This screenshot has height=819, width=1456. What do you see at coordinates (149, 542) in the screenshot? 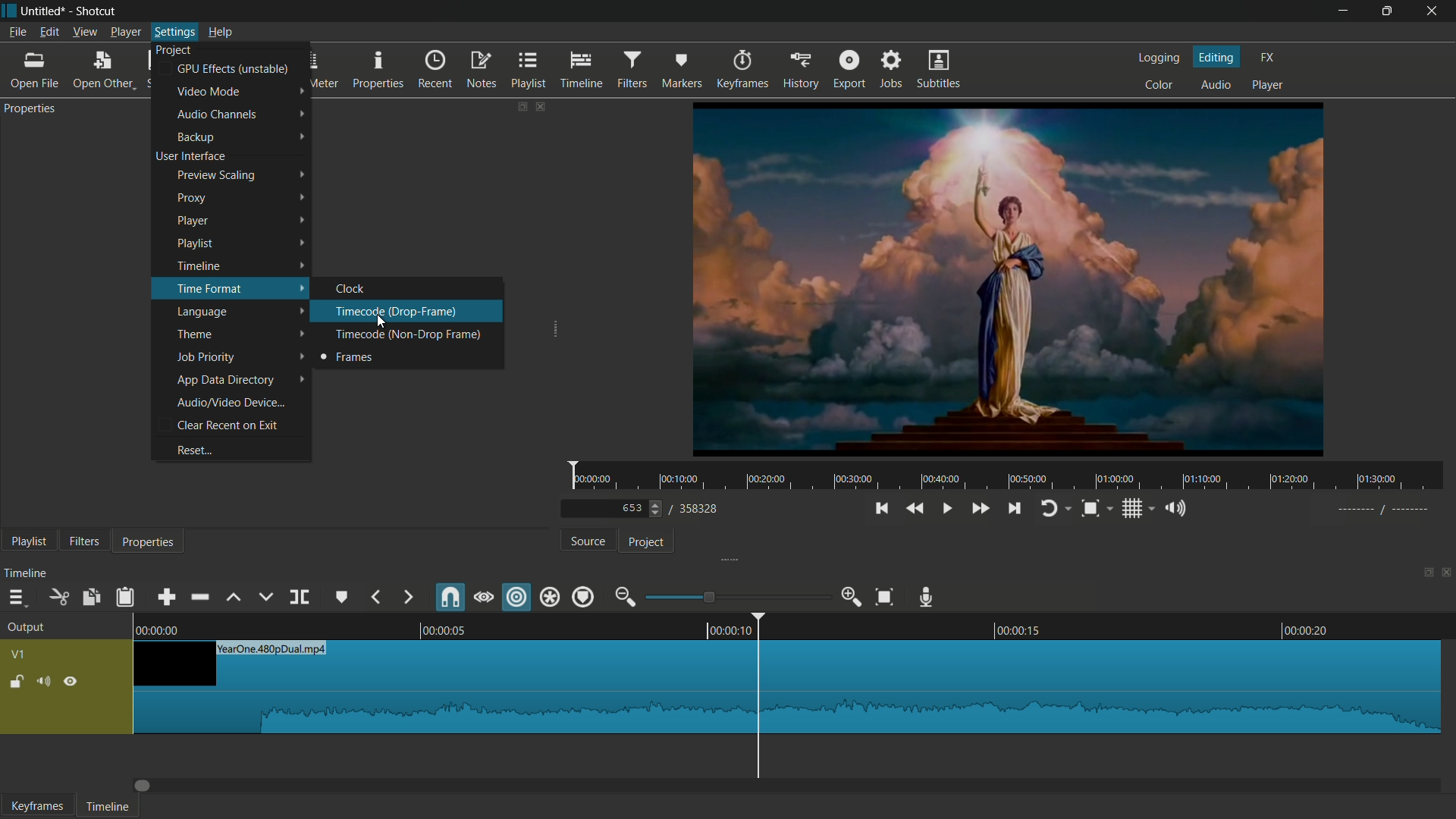
I see `properties` at bounding box center [149, 542].